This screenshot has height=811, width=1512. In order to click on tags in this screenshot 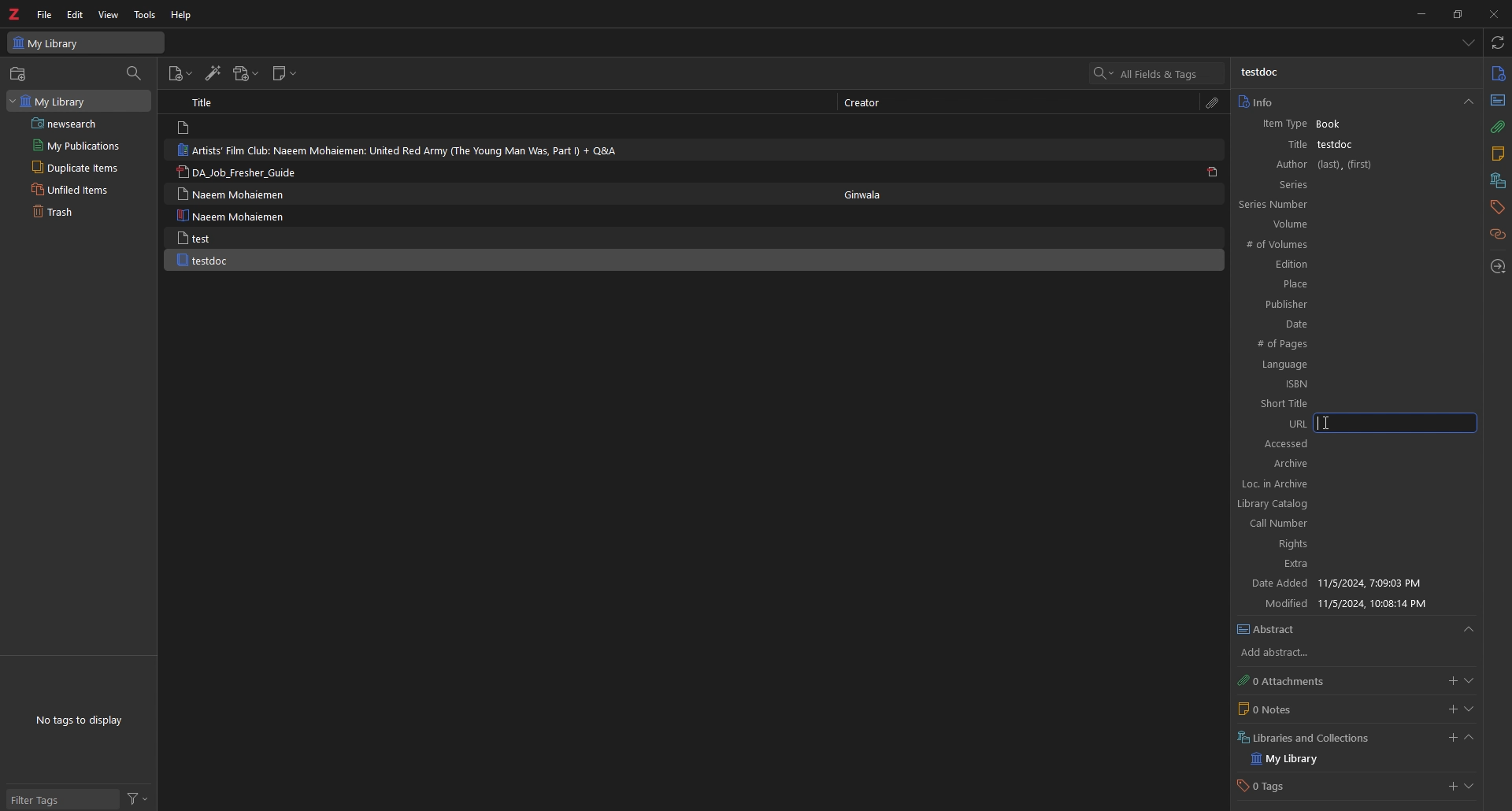, I will do `click(1497, 207)`.